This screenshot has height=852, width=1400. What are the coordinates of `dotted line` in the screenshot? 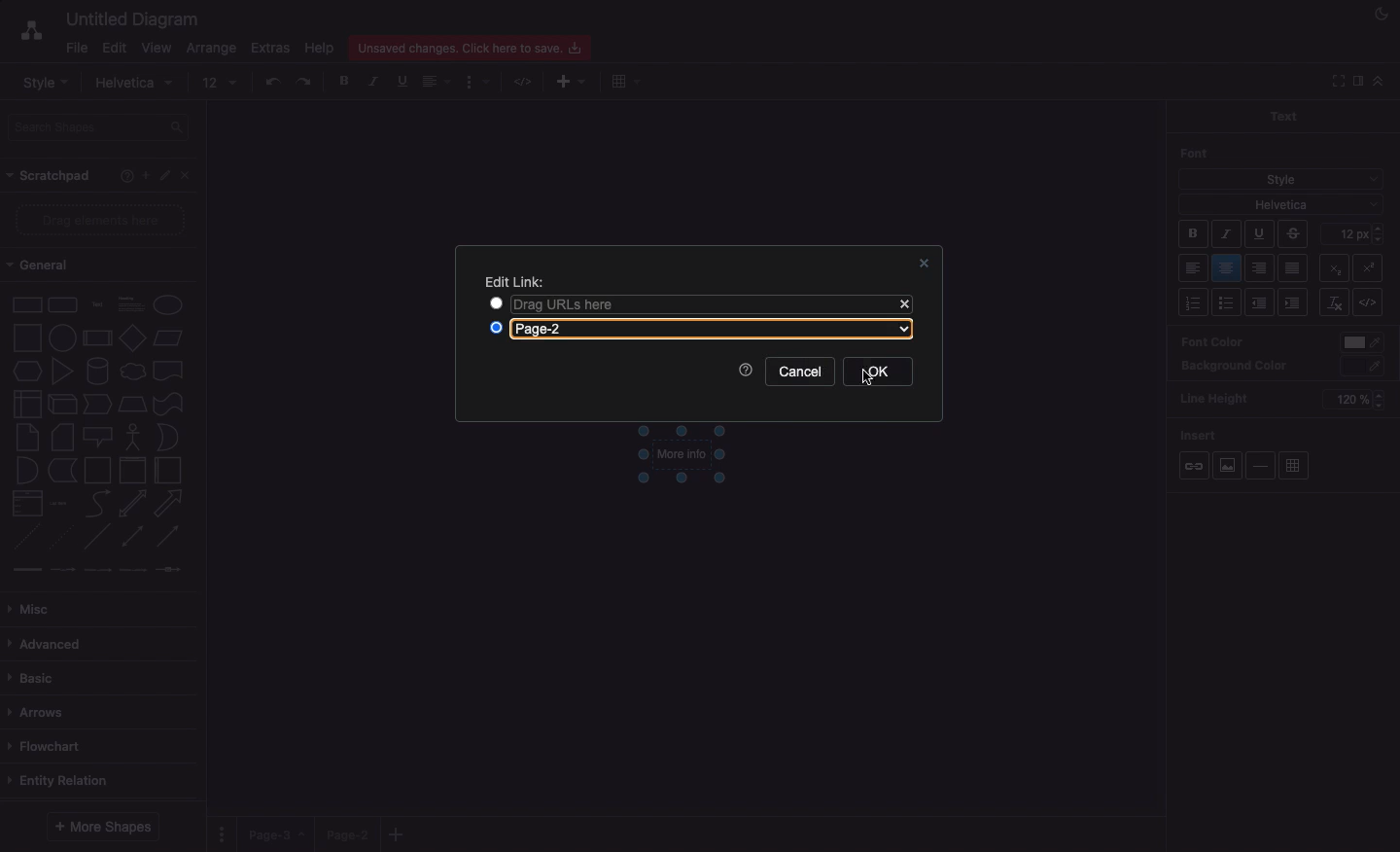 It's located at (59, 536).